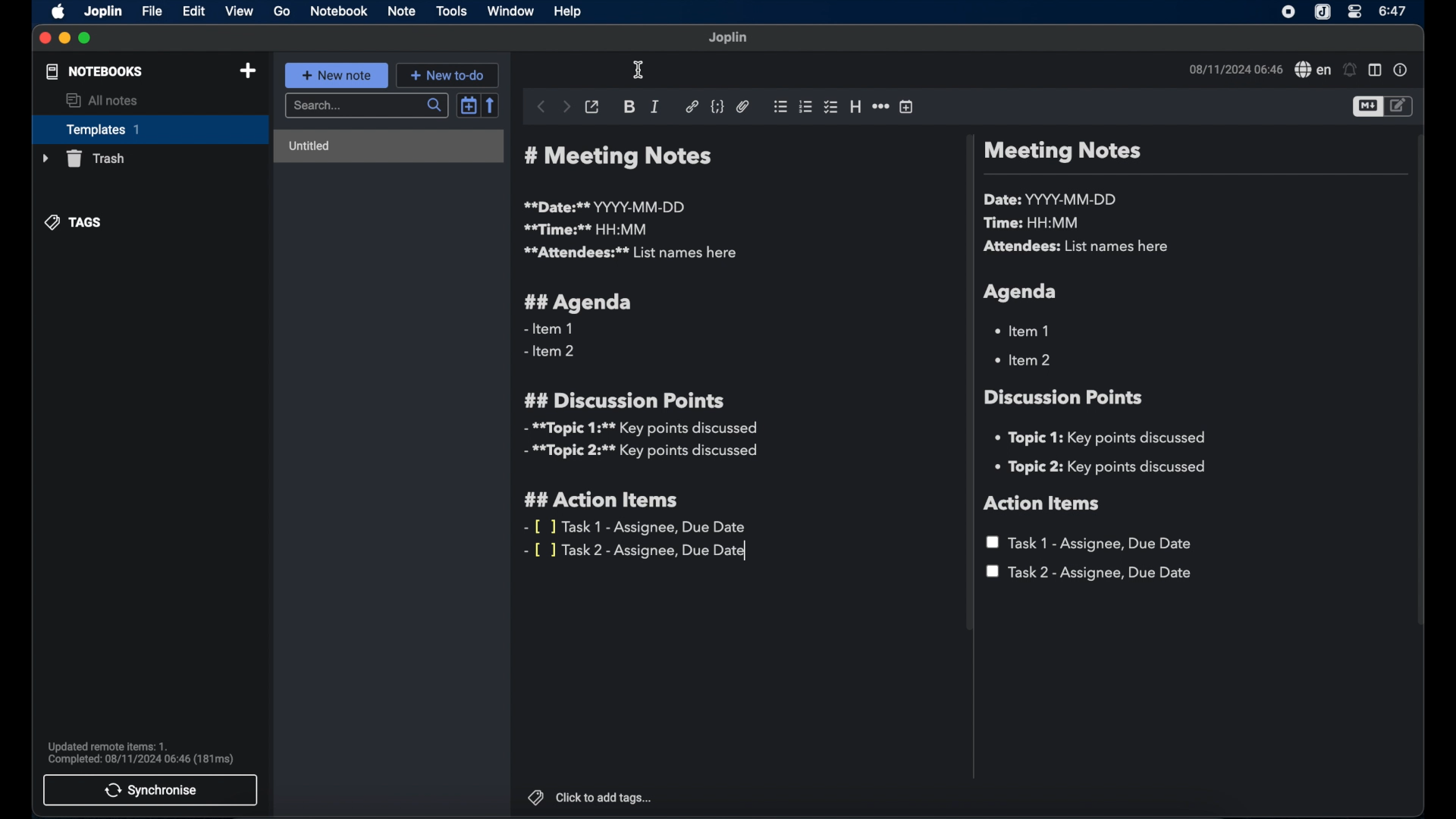  I want to click on search, so click(365, 106).